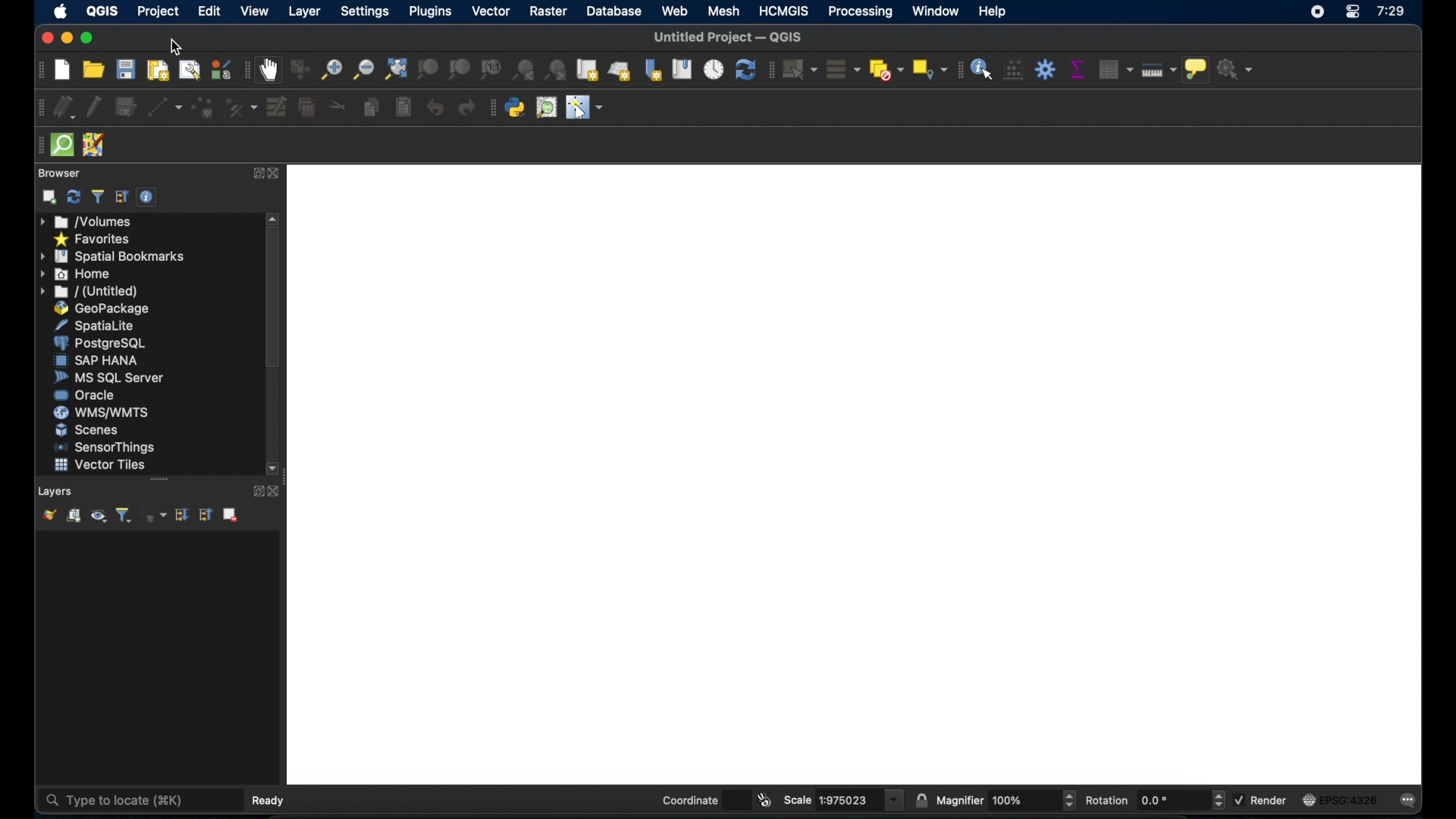 This screenshot has width=1456, height=819. Describe the element at coordinates (1352, 13) in the screenshot. I see `control center` at that location.